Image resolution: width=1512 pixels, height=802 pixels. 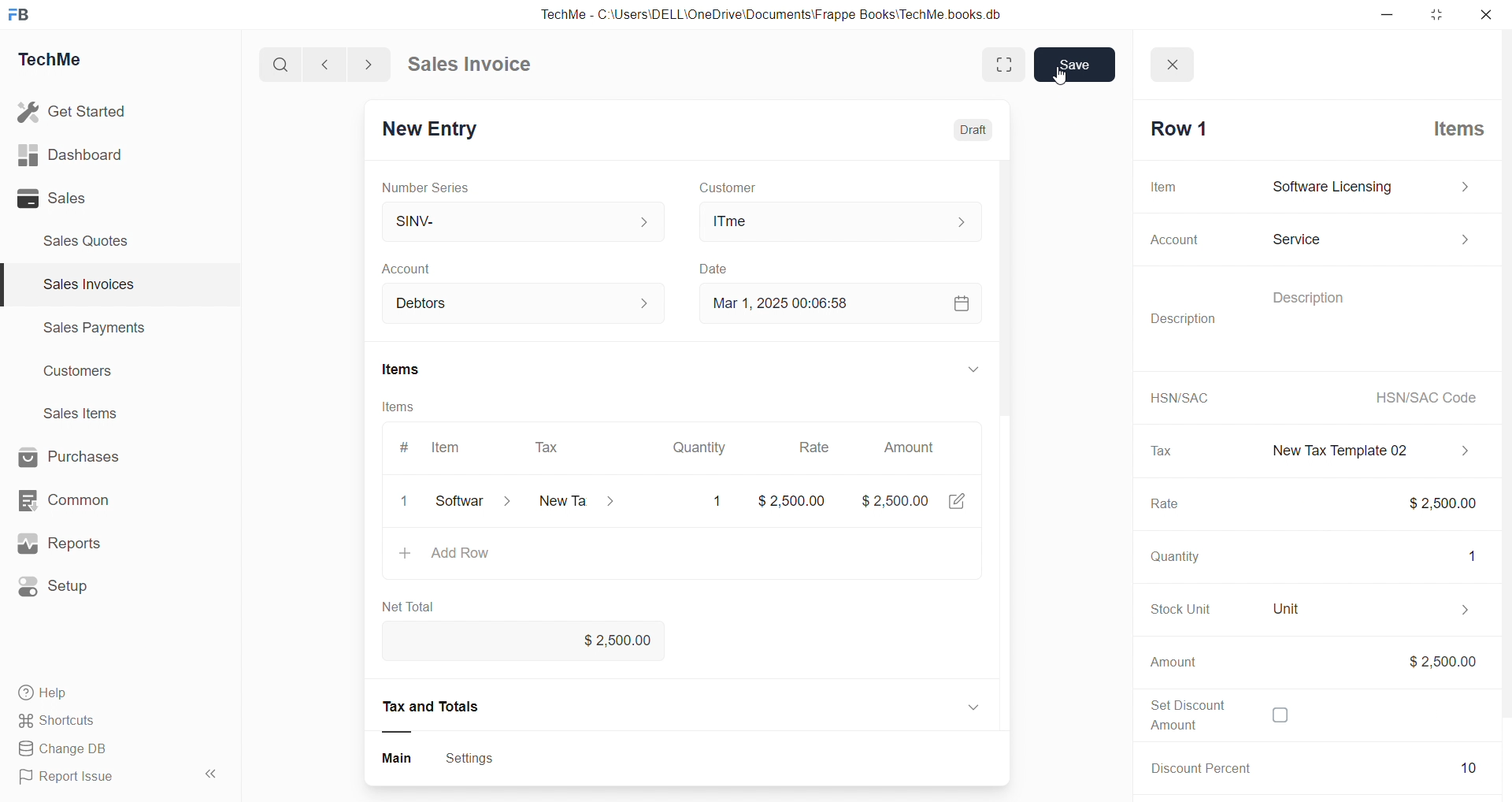 What do you see at coordinates (1490, 18) in the screenshot?
I see `Close` at bounding box center [1490, 18].